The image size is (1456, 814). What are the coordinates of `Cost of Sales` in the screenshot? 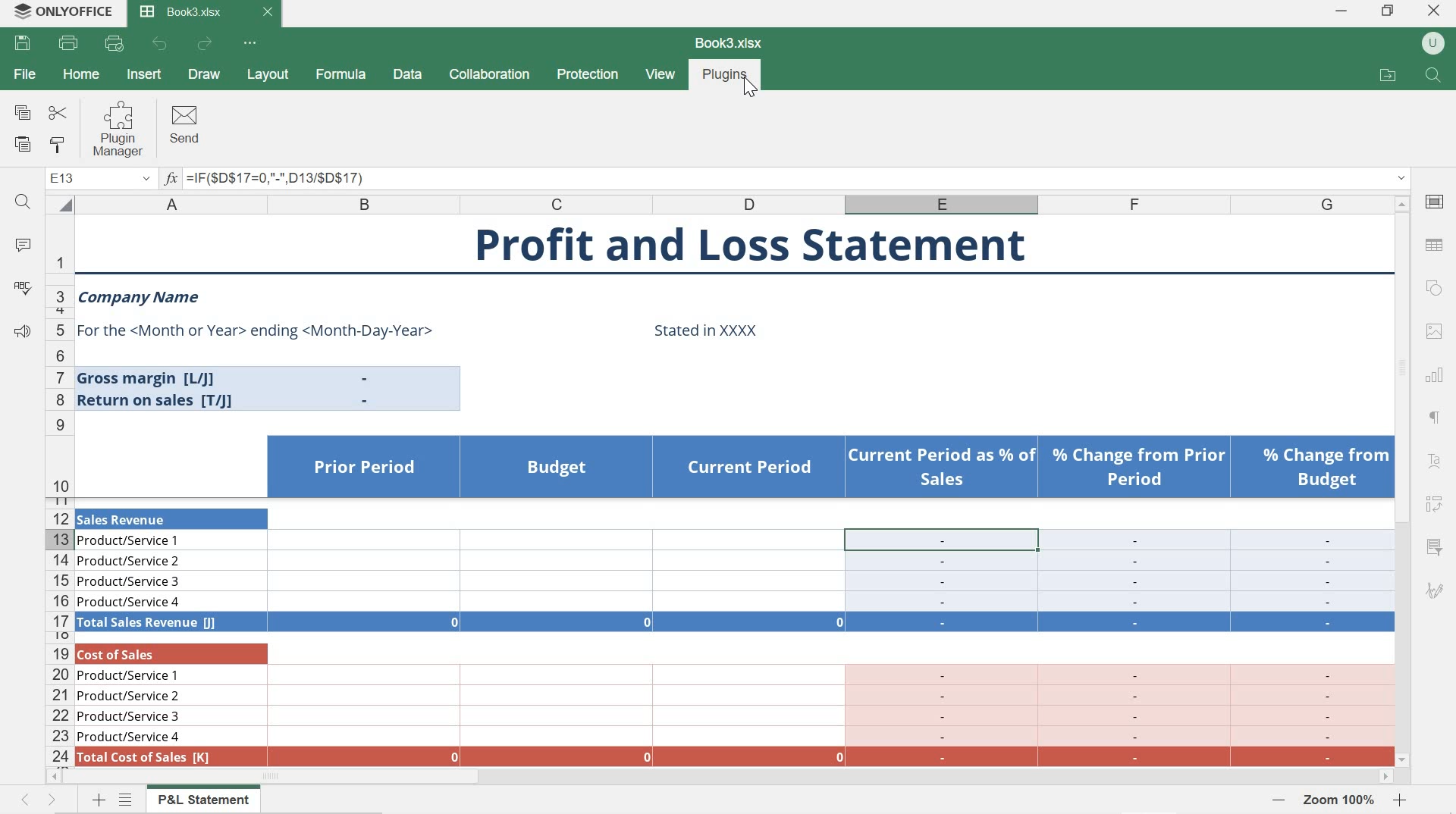 It's located at (127, 655).